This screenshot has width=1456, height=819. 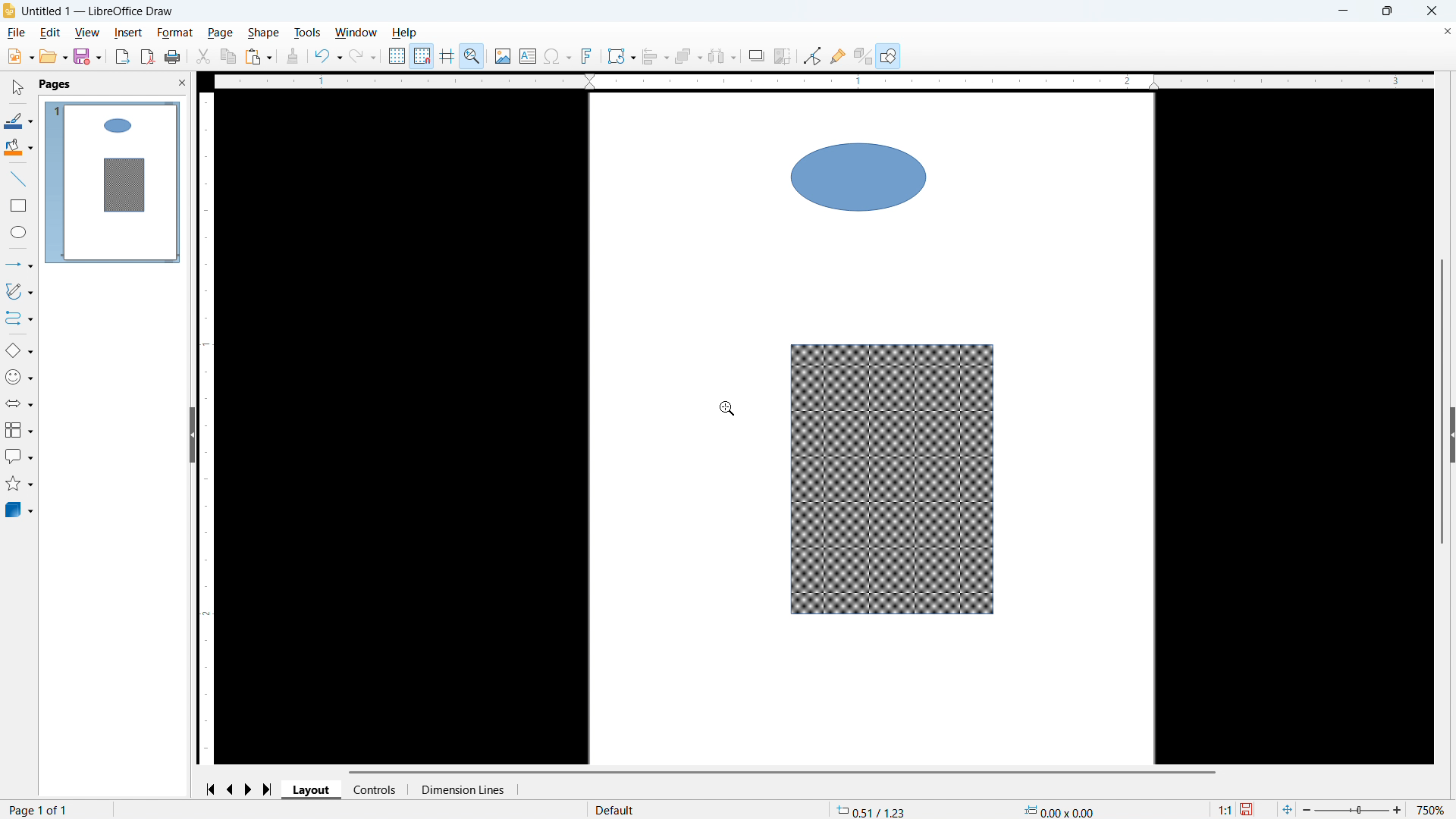 What do you see at coordinates (259, 56) in the screenshot?
I see `Paste ` at bounding box center [259, 56].